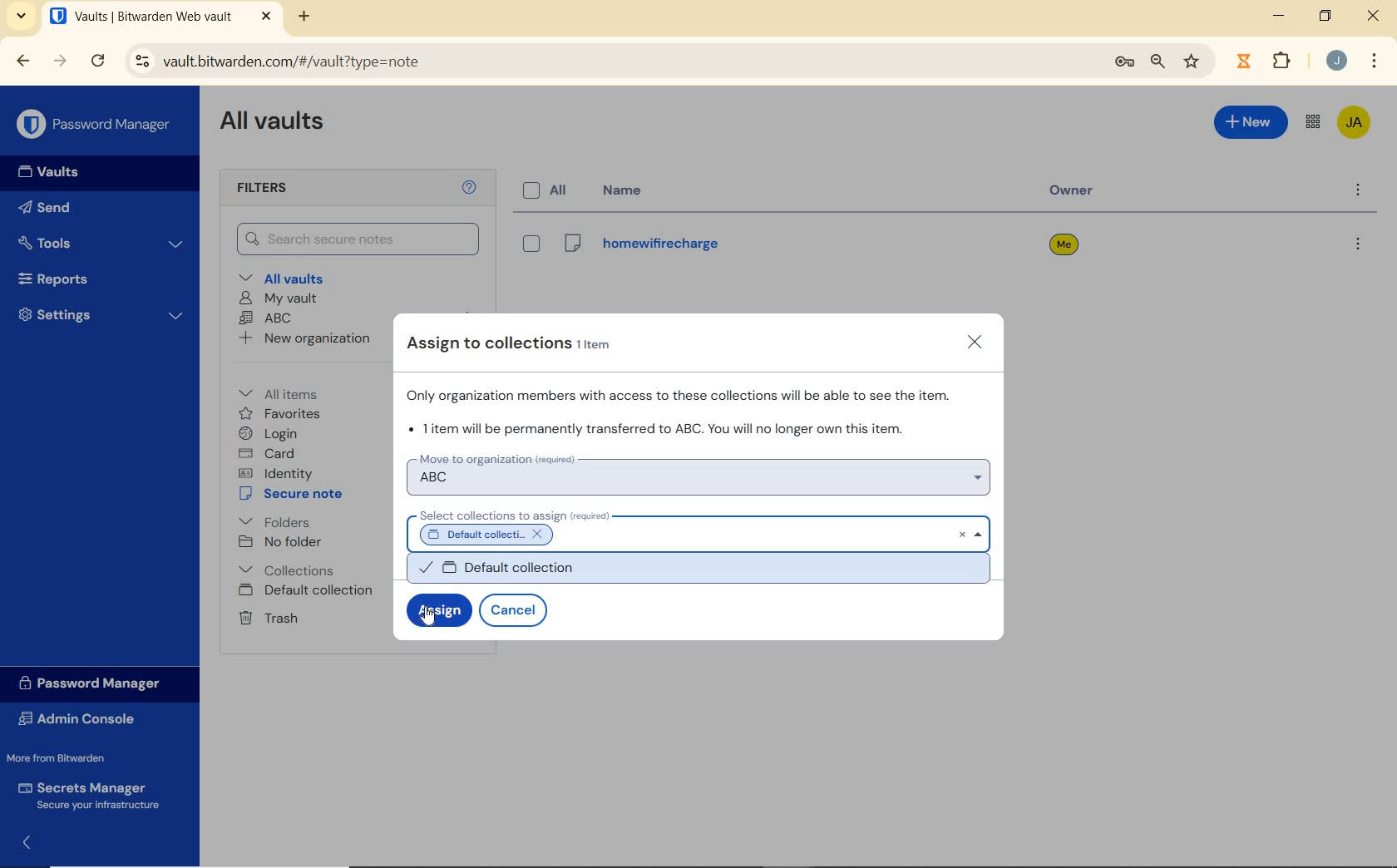  Describe the element at coordinates (271, 433) in the screenshot. I see `login` at that location.